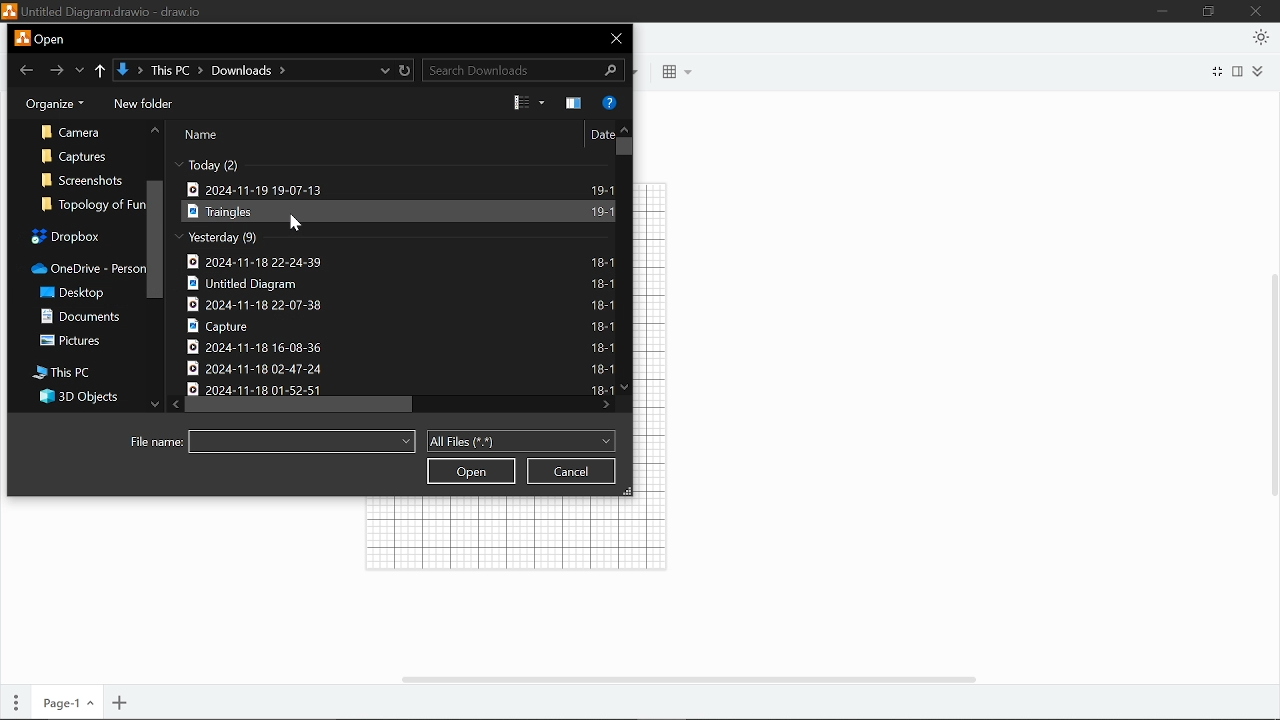 The image size is (1280, 720). I want to click on Maximize, so click(1206, 11).